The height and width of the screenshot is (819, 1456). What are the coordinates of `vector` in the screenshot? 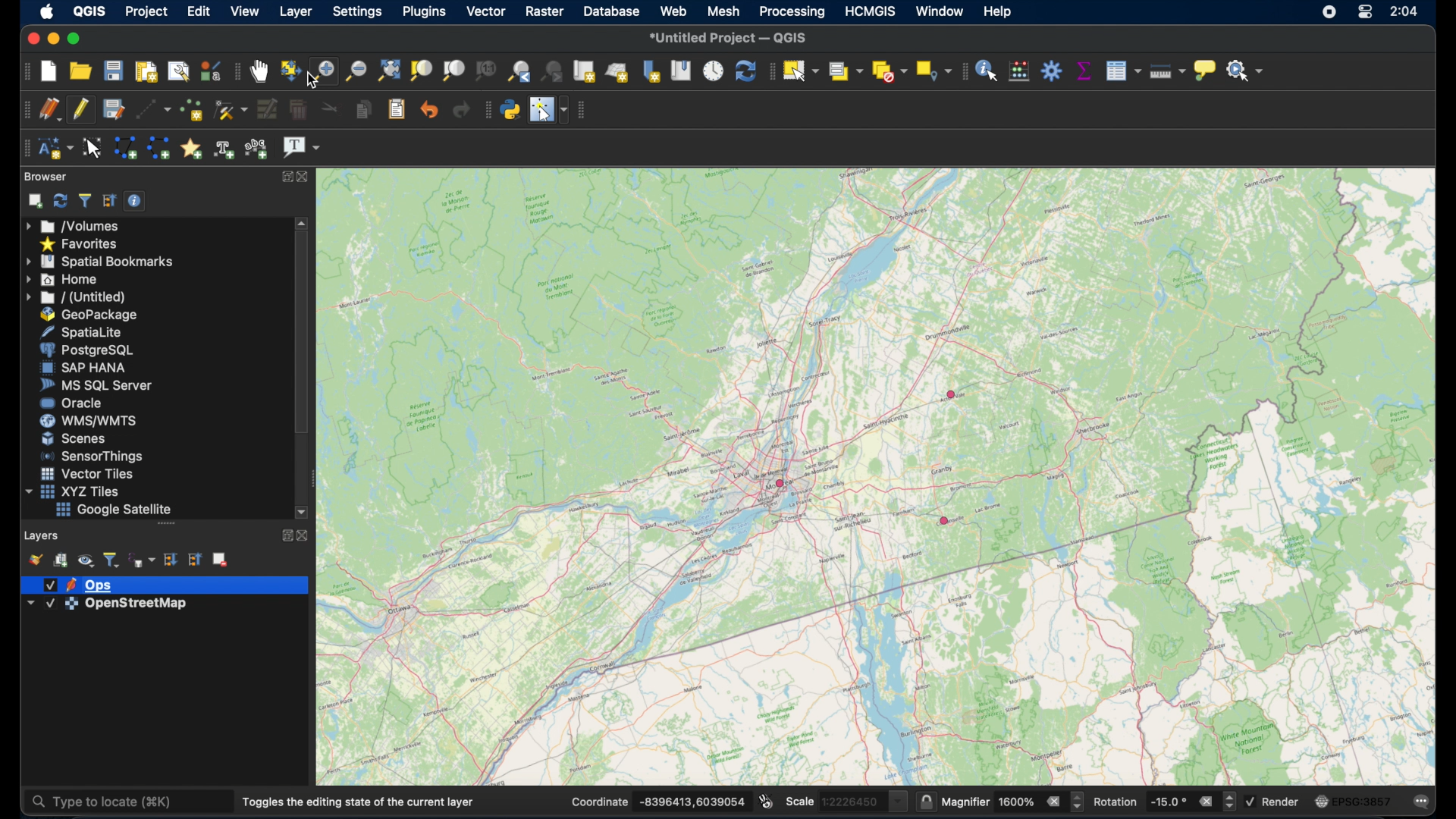 It's located at (485, 12).